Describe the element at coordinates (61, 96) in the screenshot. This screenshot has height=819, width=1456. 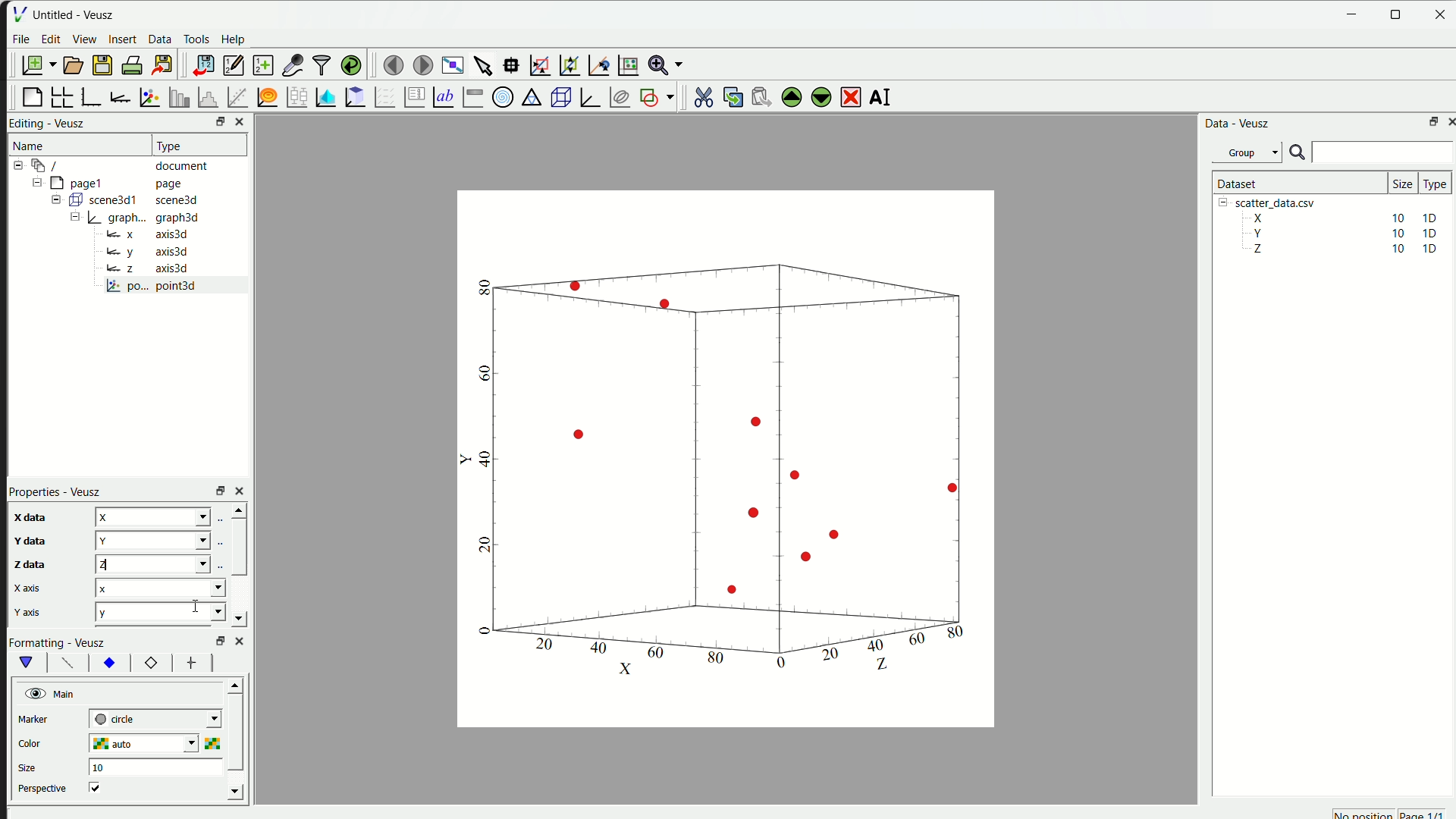
I see `arrange graph in grid` at that location.